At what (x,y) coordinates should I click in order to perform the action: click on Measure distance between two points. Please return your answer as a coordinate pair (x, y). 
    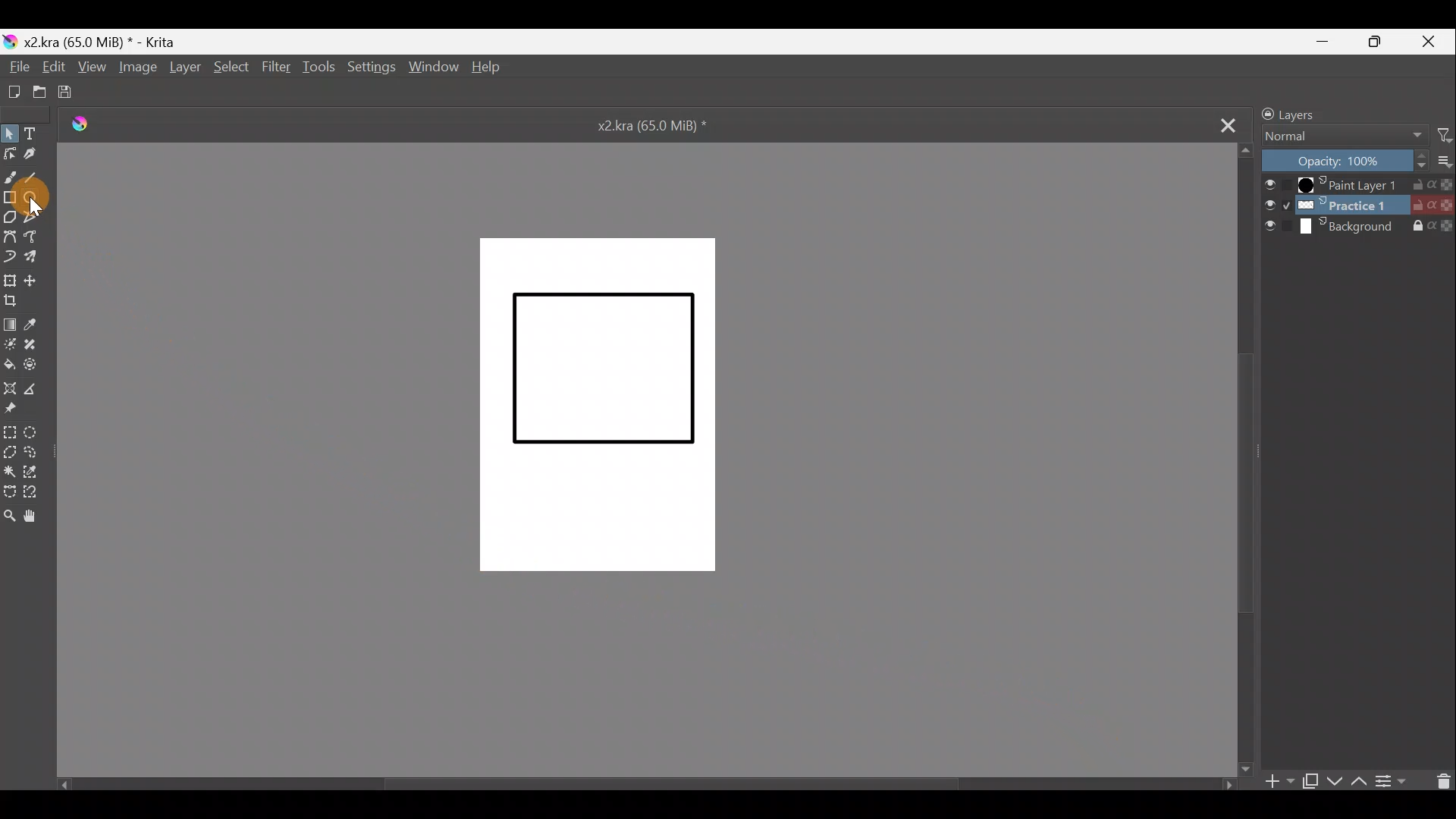
    Looking at the image, I should click on (35, 388).